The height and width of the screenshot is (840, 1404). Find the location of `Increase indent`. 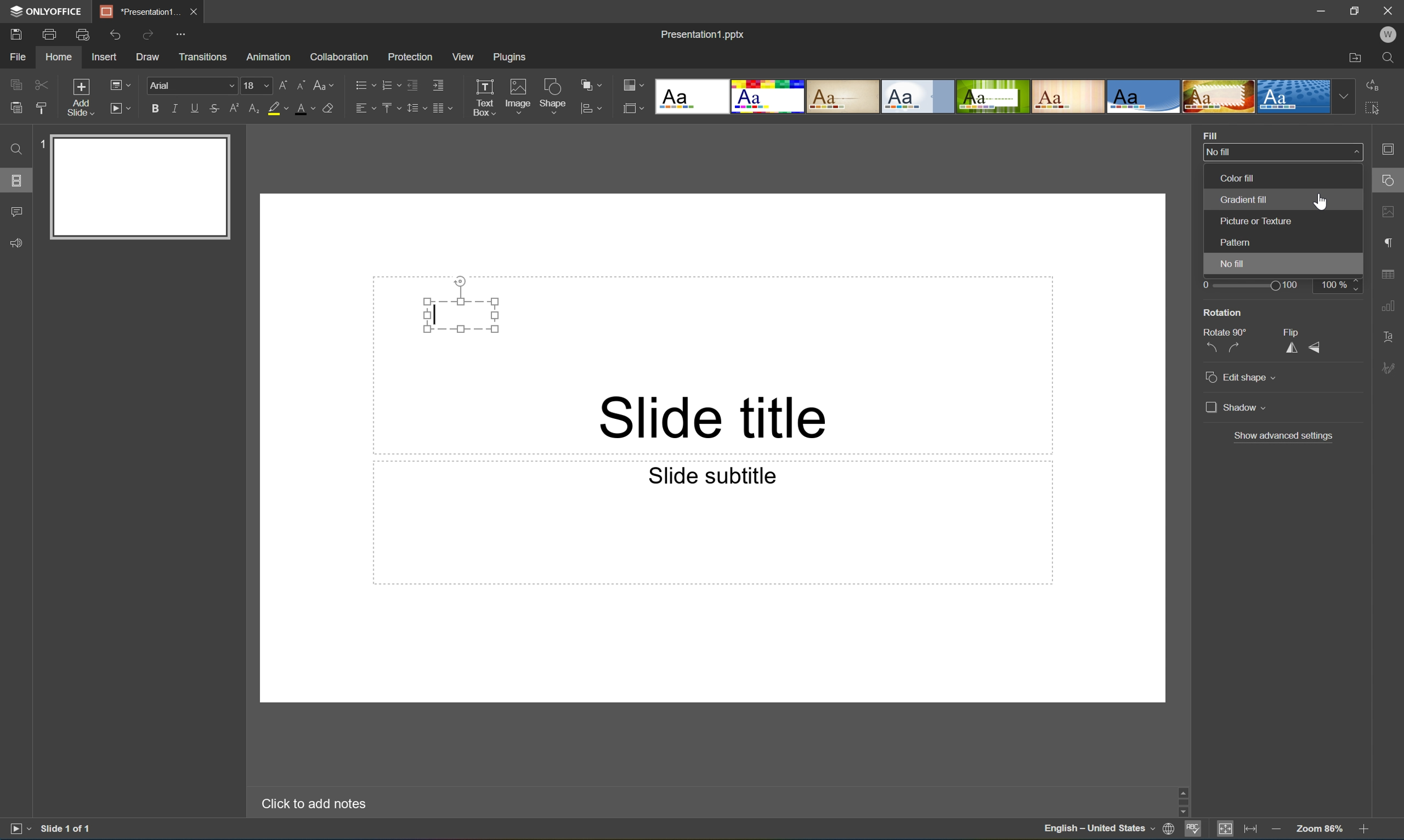

Increase indent is located at coordinates (437, 84).